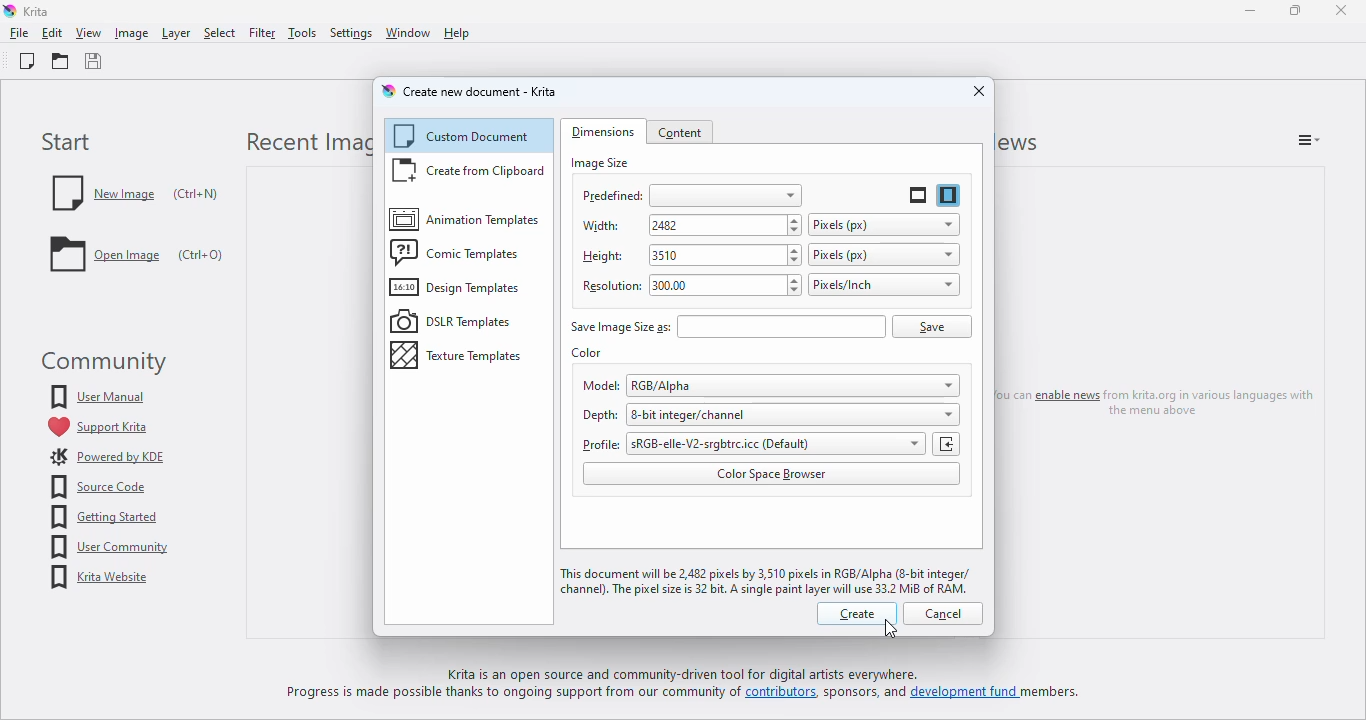 This screenshot has height=720, width=1366. I want to click on image, so click(131, 33).